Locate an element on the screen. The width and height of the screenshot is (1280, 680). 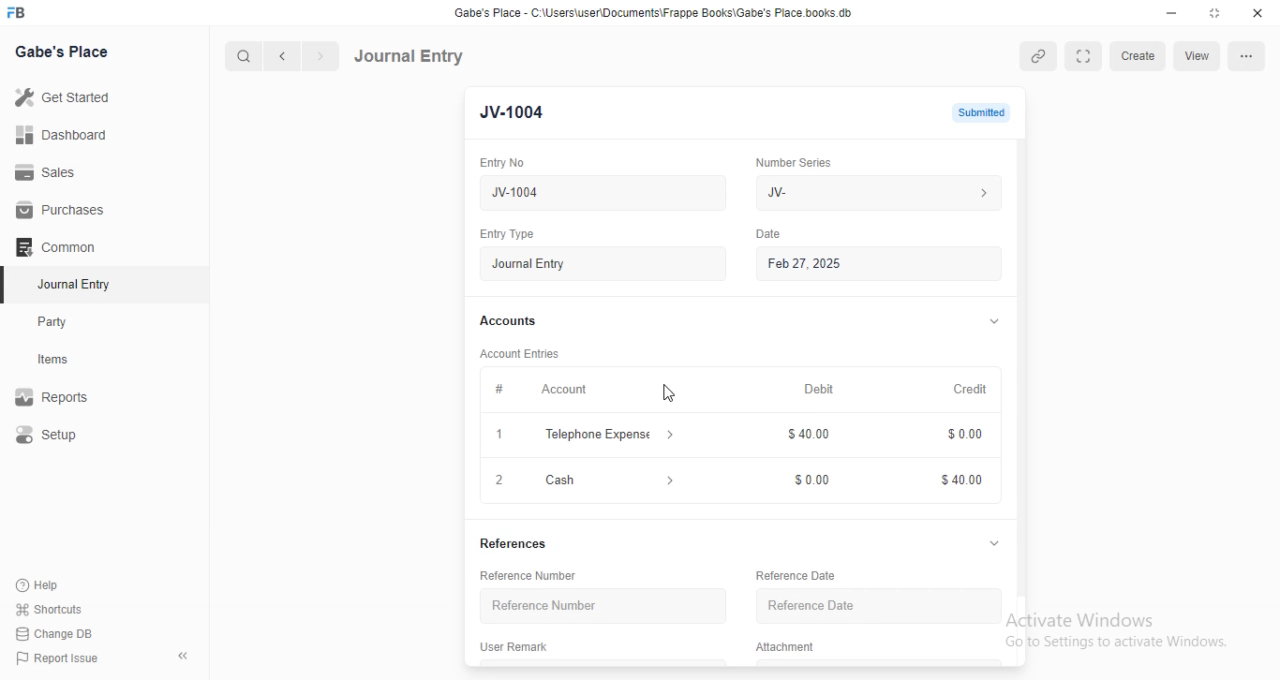
40.00 is located at coordinates (953, 482).